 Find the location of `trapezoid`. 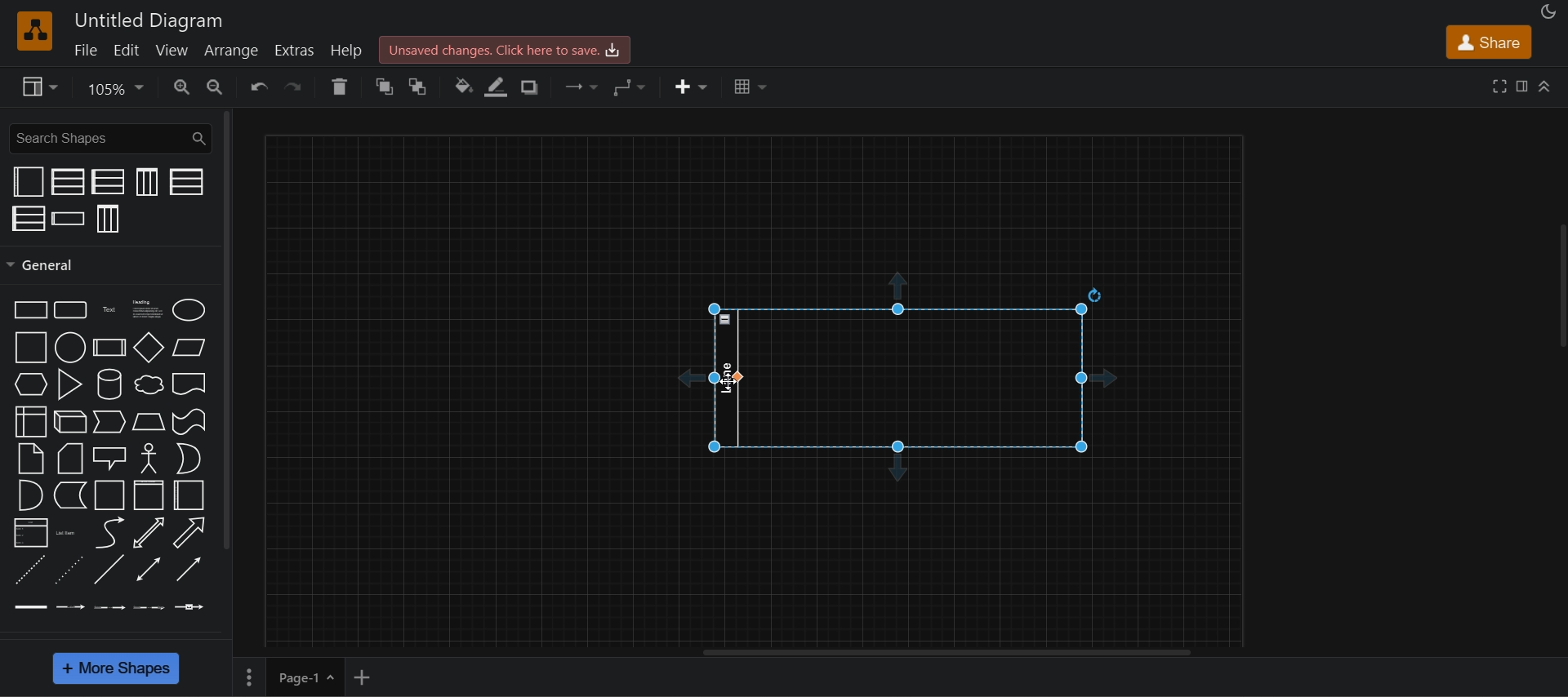

trapezoid is located at coordinates (149, 421).